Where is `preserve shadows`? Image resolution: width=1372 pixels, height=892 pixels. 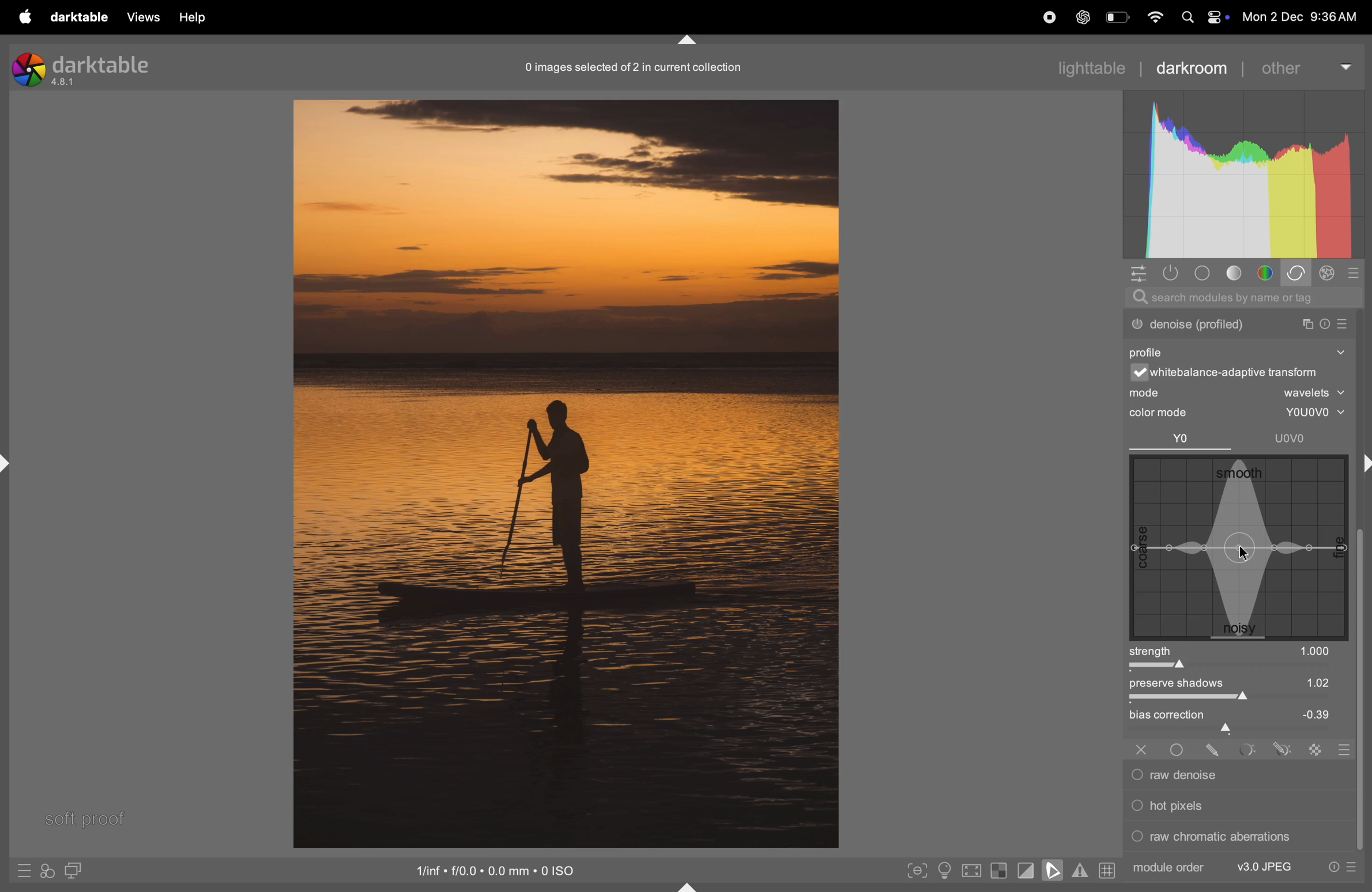
preserve shadows is located at coordinates (1185, 685).